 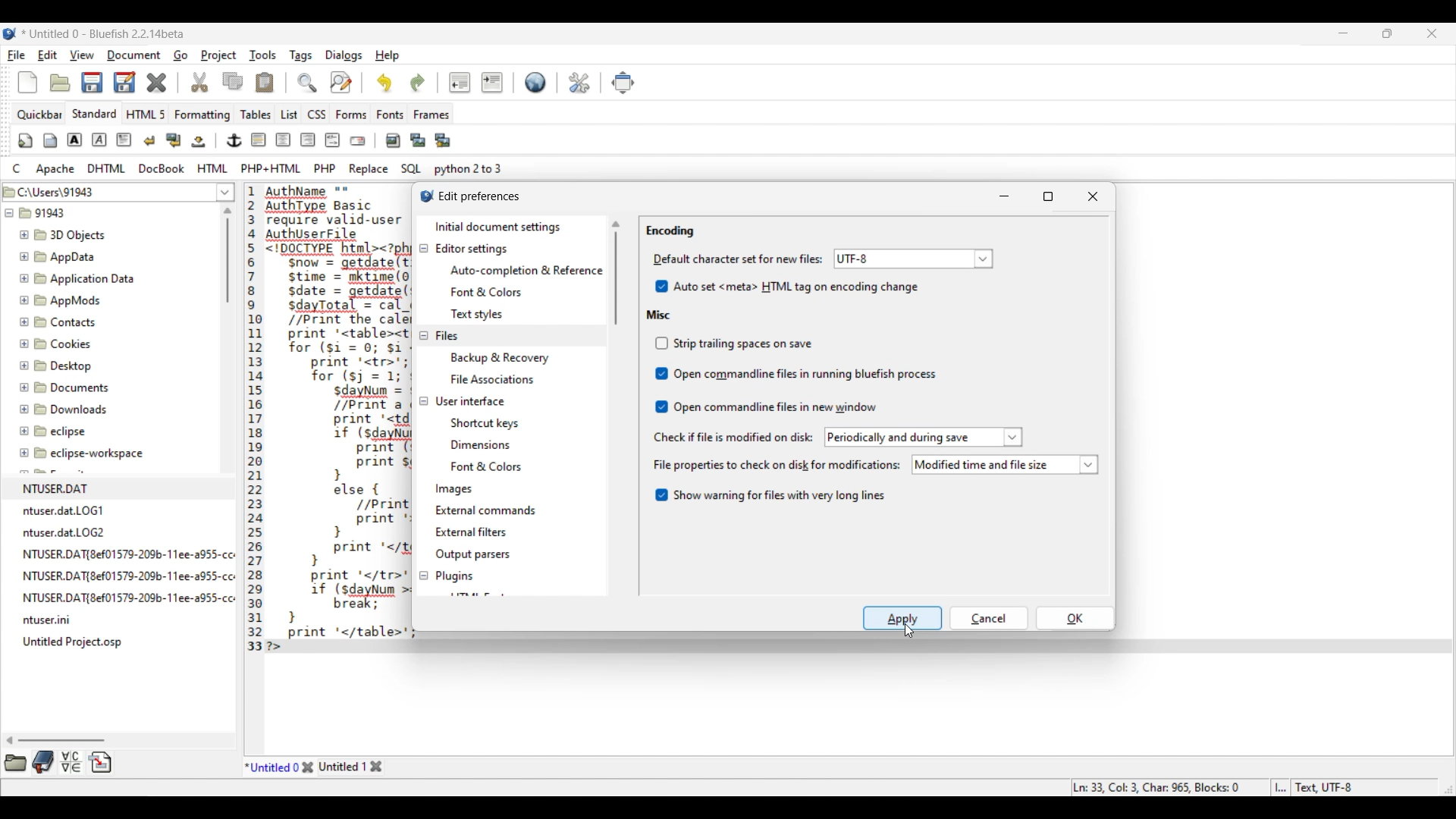 What do you see at coordinates (27, 82) in the screenshot?
I see `New` at bounding box center [27, 82].